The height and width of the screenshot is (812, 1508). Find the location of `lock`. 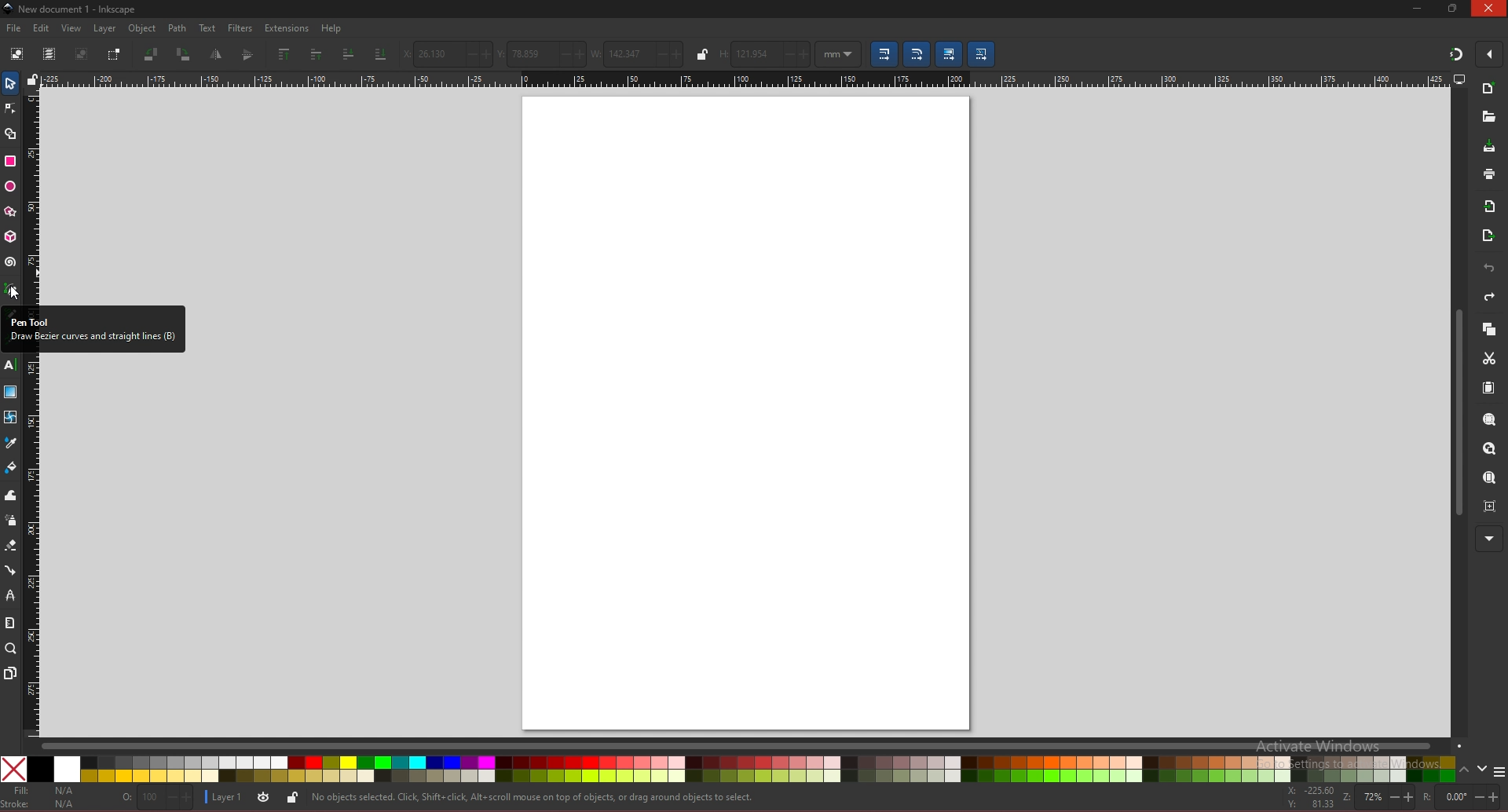

lock is located at coordinates (703, 54).